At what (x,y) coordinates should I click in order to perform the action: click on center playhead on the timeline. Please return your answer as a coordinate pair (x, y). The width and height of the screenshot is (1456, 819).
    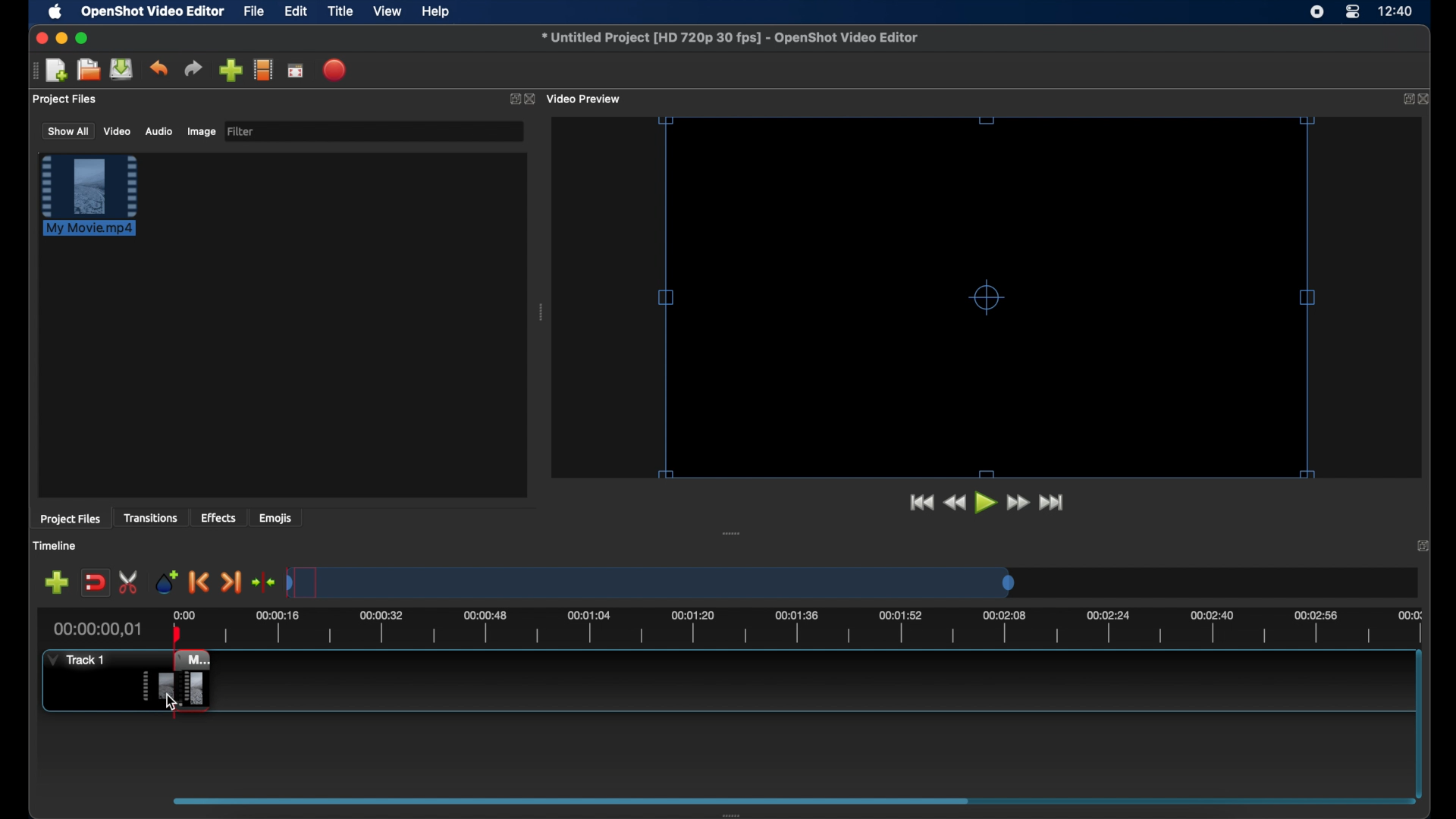
    Looking at the image, I should click on (262, 582).